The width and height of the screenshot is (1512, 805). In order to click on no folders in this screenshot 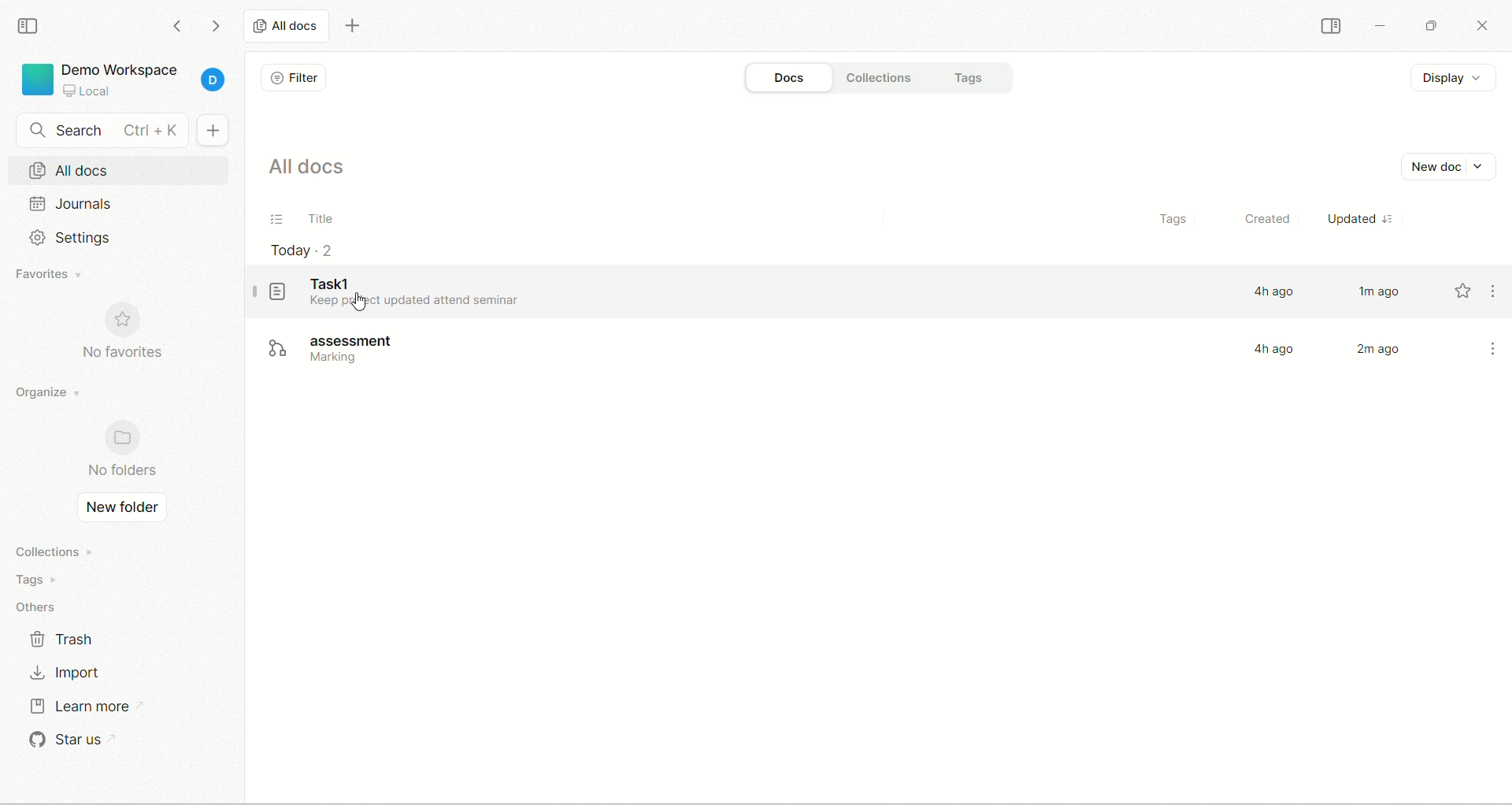, I will do `click(126, 448)`.